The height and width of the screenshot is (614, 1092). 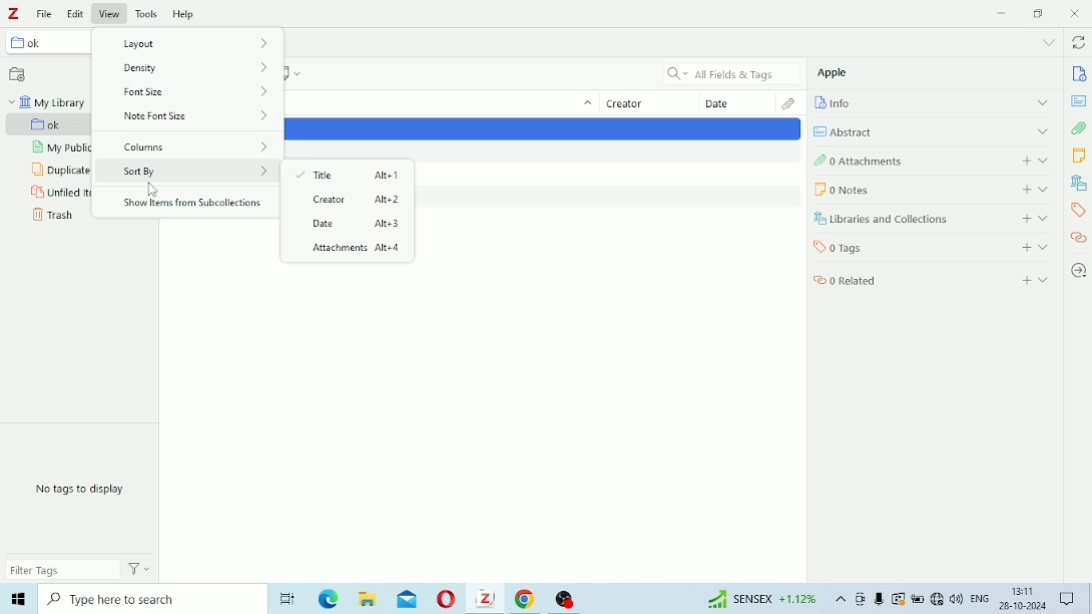 What do you see at coordinates (1021, 218) in the screenshot?
I see `add` at bounding box center [1021, 218].